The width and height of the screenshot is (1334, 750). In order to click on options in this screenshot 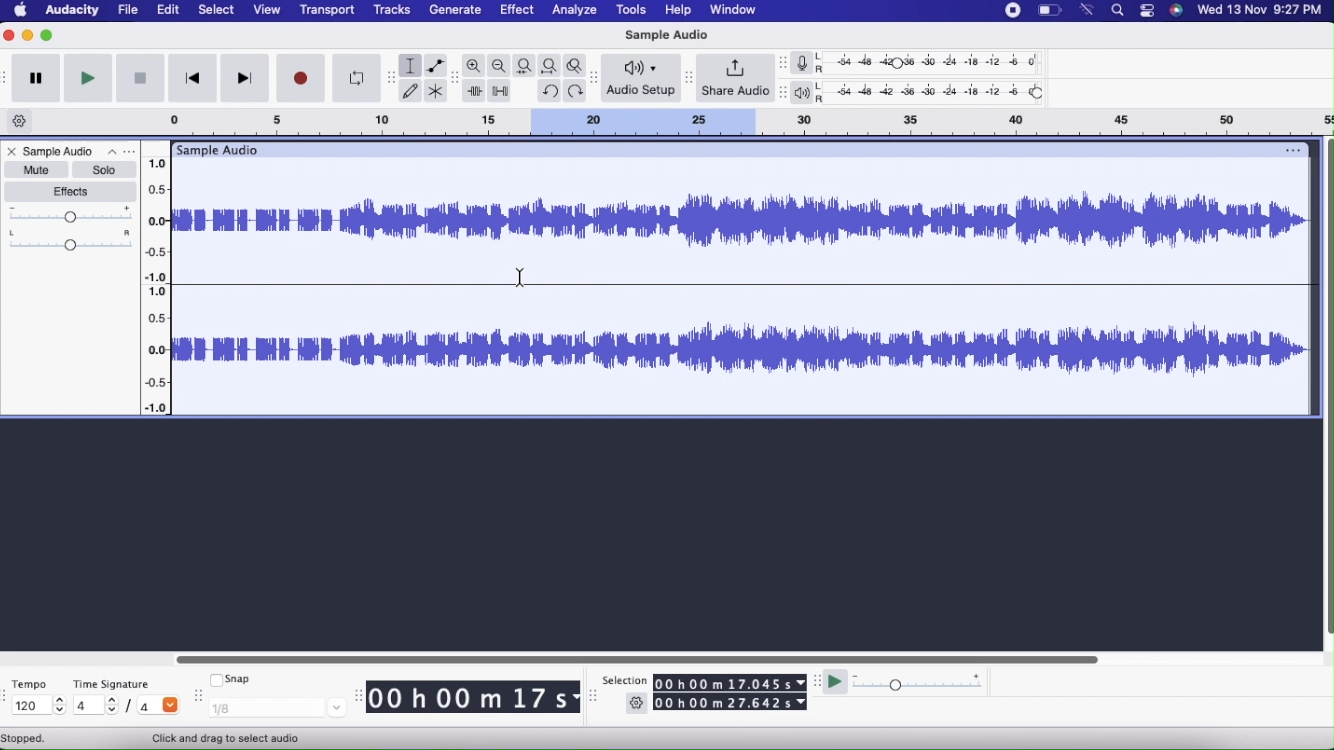, I will do `click(1291, 149)`.